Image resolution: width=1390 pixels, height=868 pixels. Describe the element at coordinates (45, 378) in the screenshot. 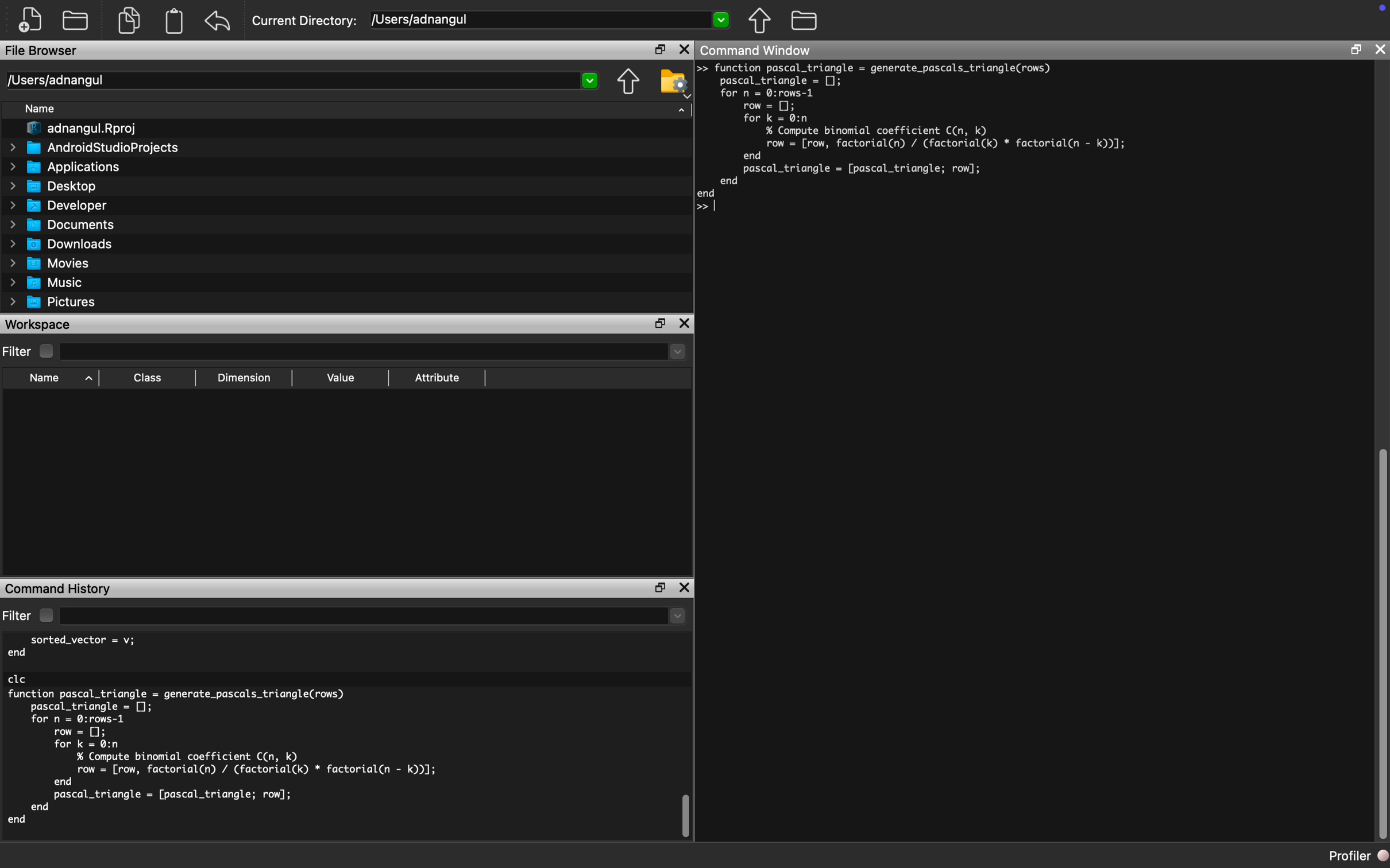

I see `Name` at that location.